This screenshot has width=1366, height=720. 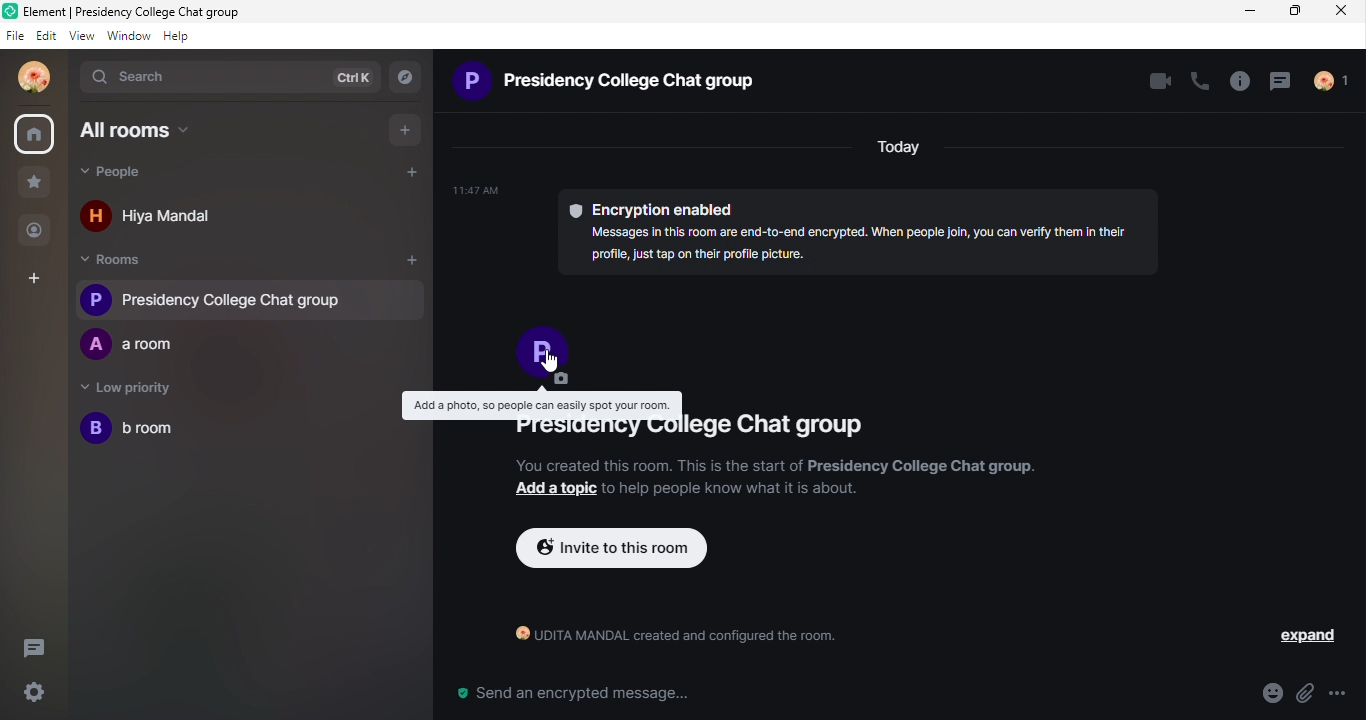 I want to click on people, so click(x=1333, y=83).